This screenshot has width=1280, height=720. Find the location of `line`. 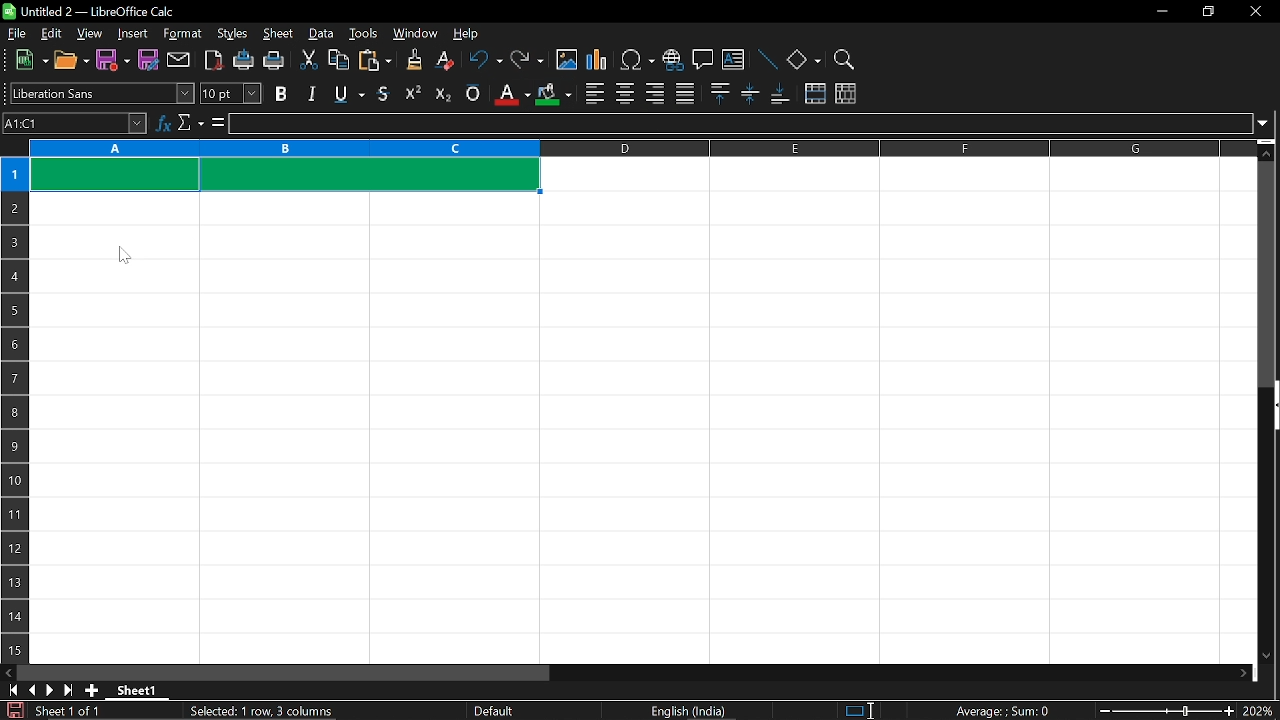

line is located at coordinates (767, 59).